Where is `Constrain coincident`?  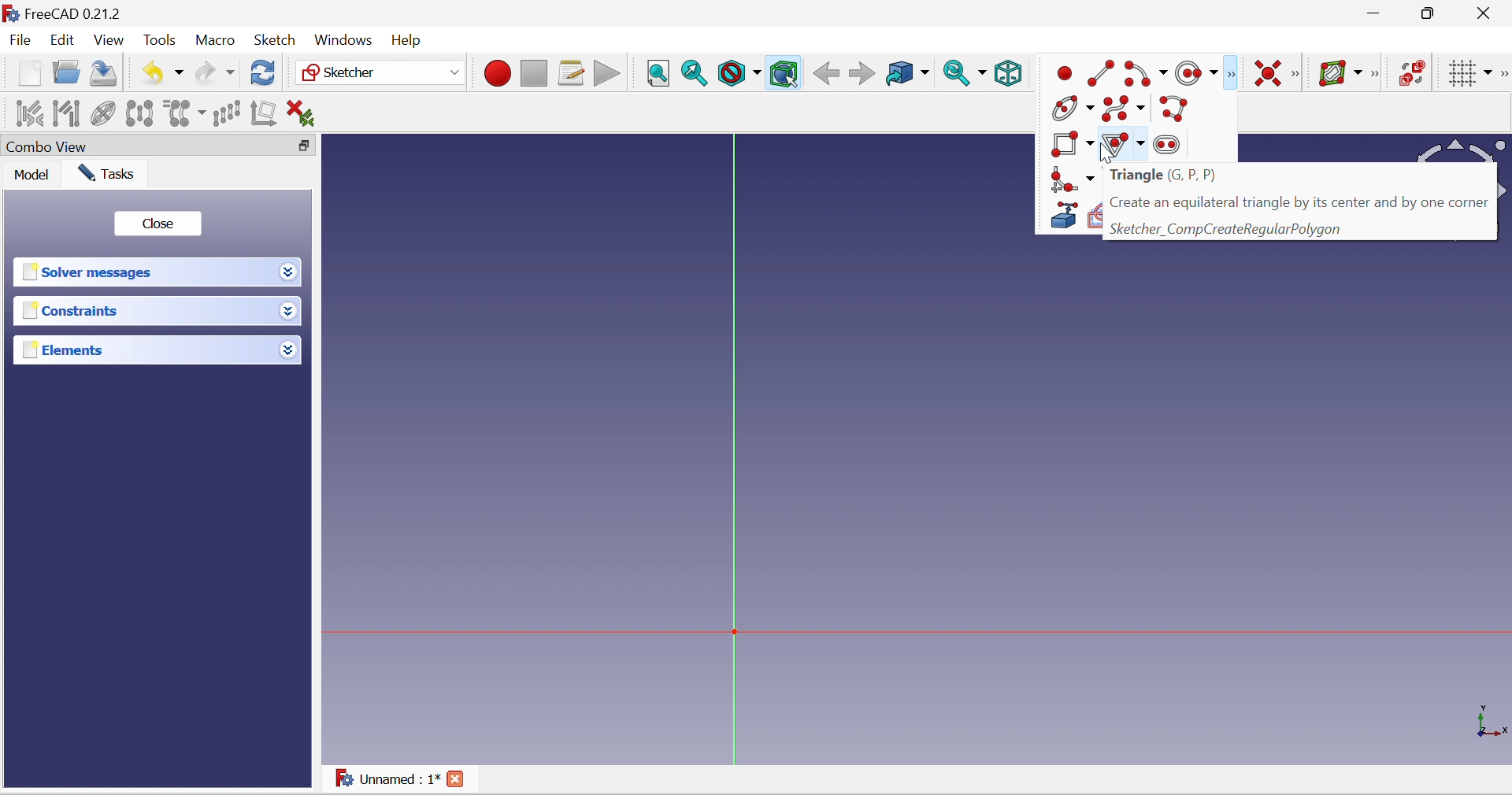
Constrain coincident is located at coordinates (1269, 74).